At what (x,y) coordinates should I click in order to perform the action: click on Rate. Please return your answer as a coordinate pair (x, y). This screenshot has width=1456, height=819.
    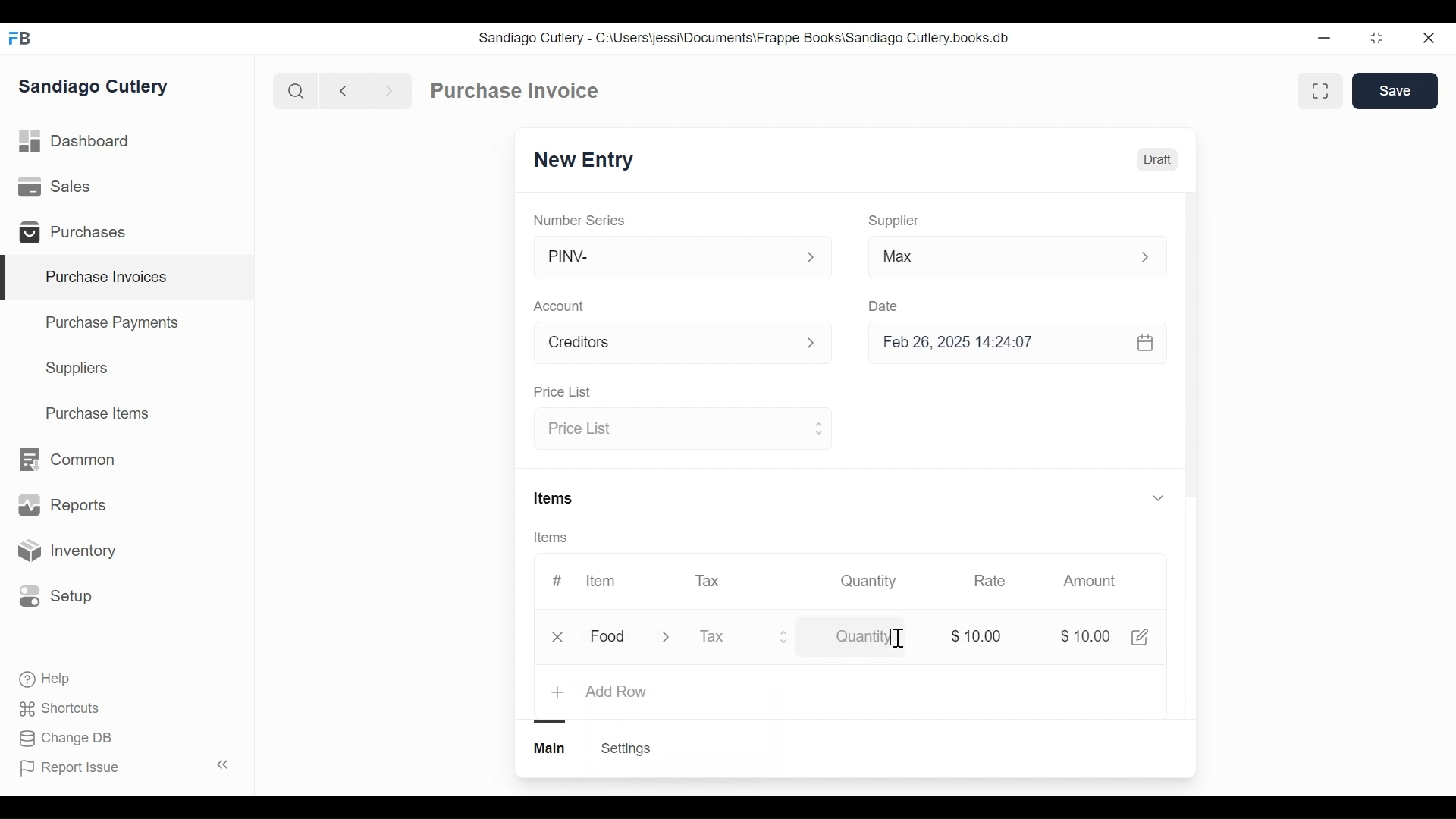
    Looking at the image, I should click on (988, 581).